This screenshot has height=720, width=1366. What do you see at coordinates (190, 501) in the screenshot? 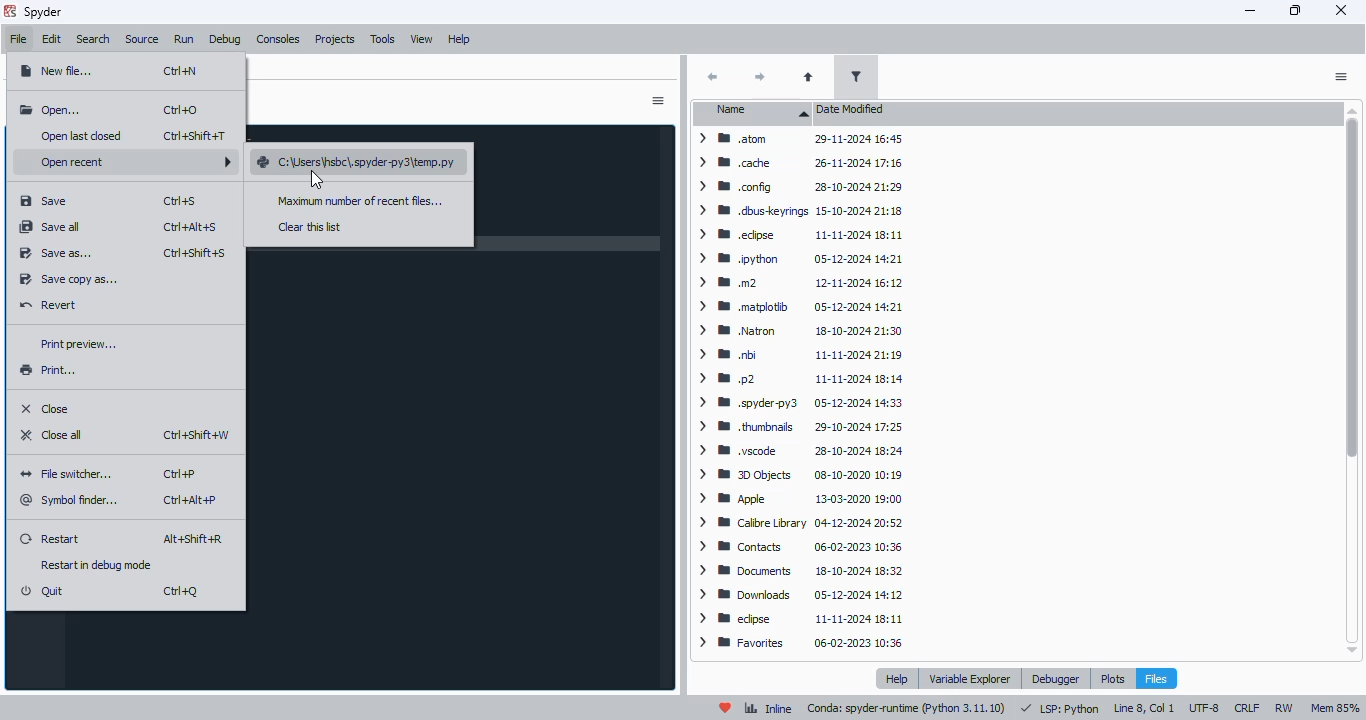
I see `shortcut for symbol finder` at bounding box center [190, 501].